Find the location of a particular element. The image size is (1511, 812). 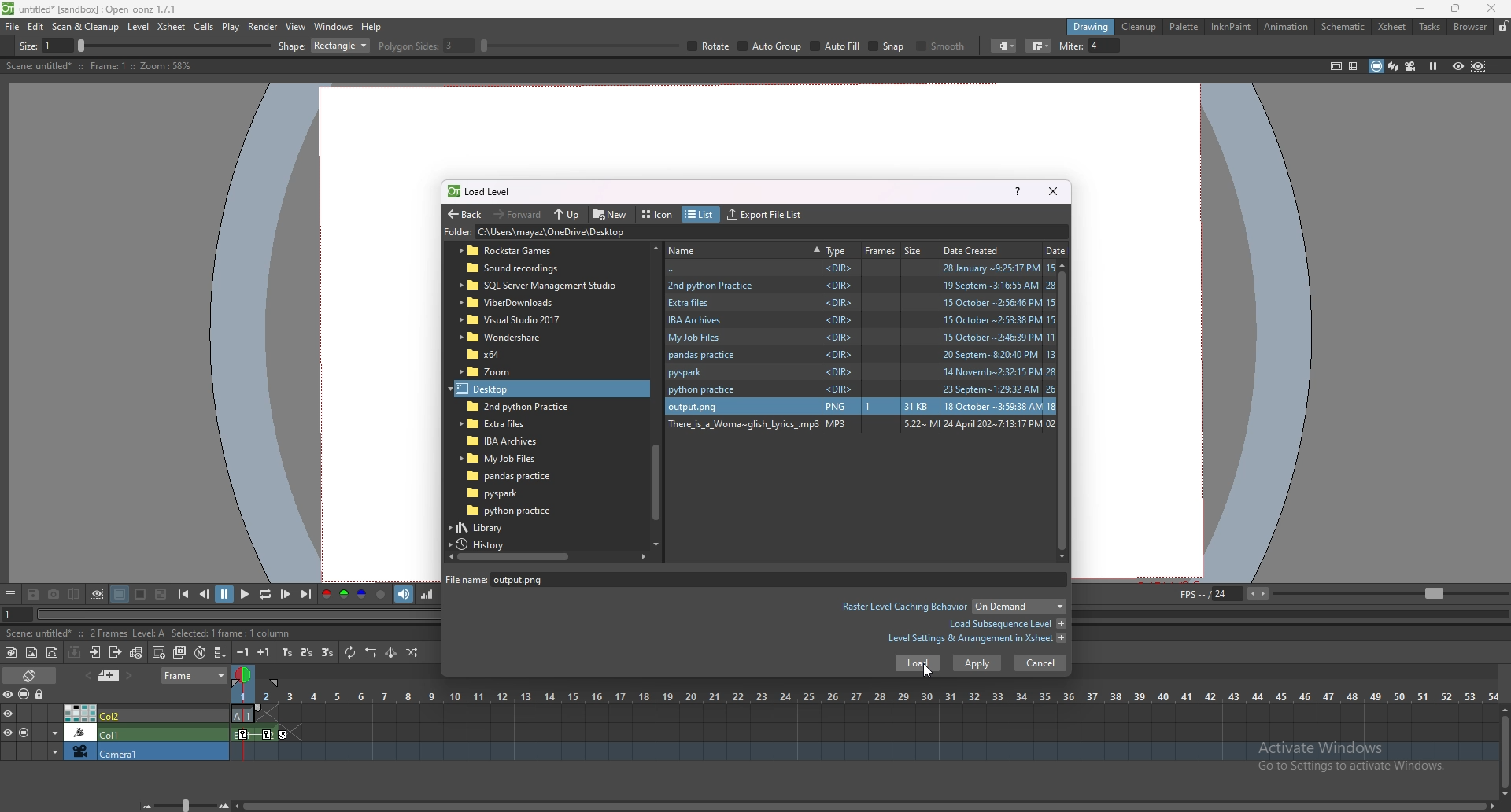

folder is located at coordinates (501, 372).